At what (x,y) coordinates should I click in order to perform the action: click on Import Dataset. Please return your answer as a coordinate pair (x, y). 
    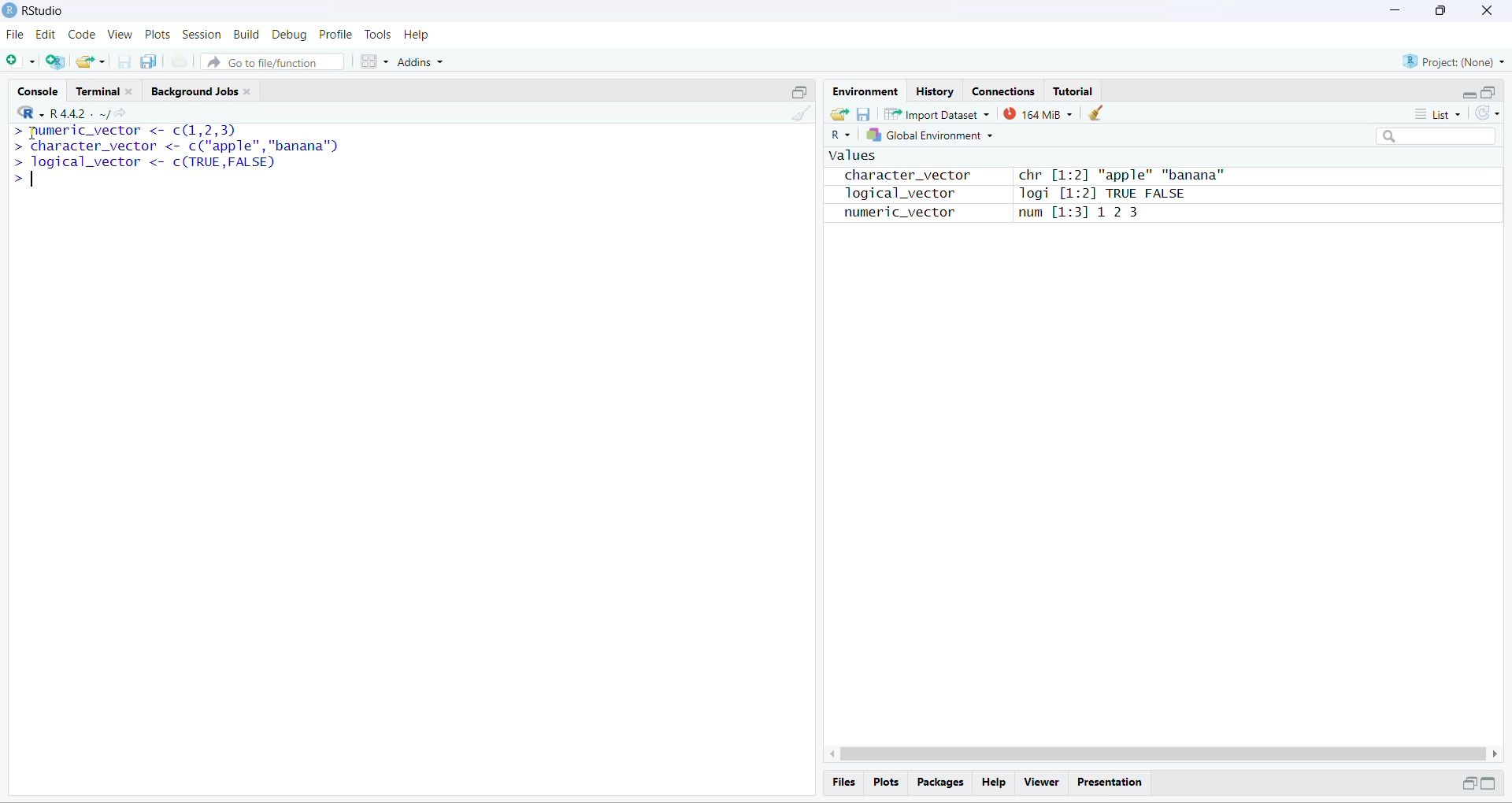
    Looking at the image, I should click on (936, 114).